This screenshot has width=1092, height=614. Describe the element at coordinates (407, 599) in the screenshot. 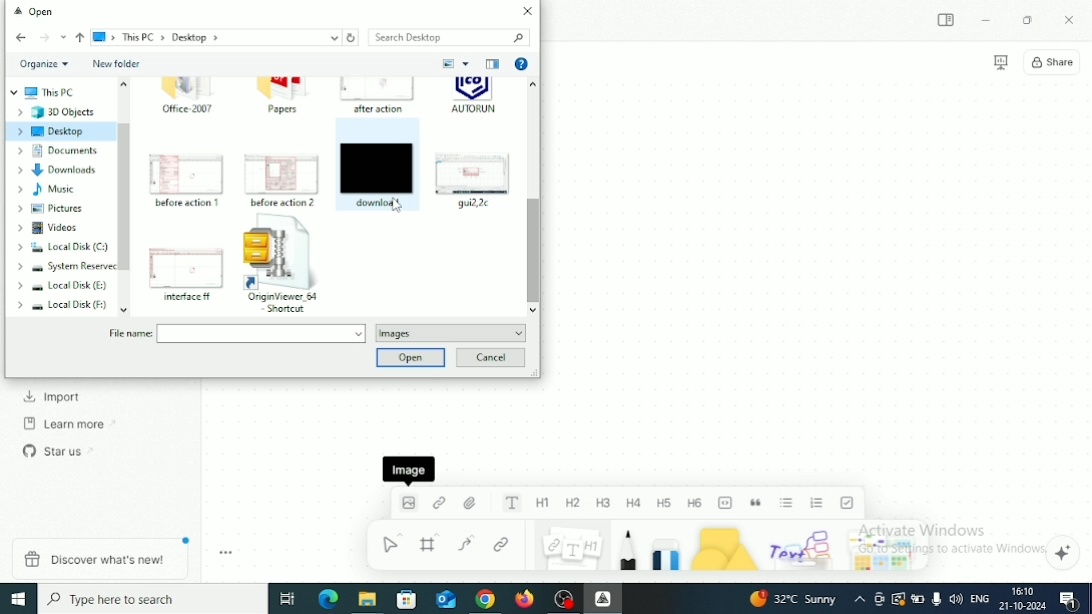

I see `Microsoft store` at that location.